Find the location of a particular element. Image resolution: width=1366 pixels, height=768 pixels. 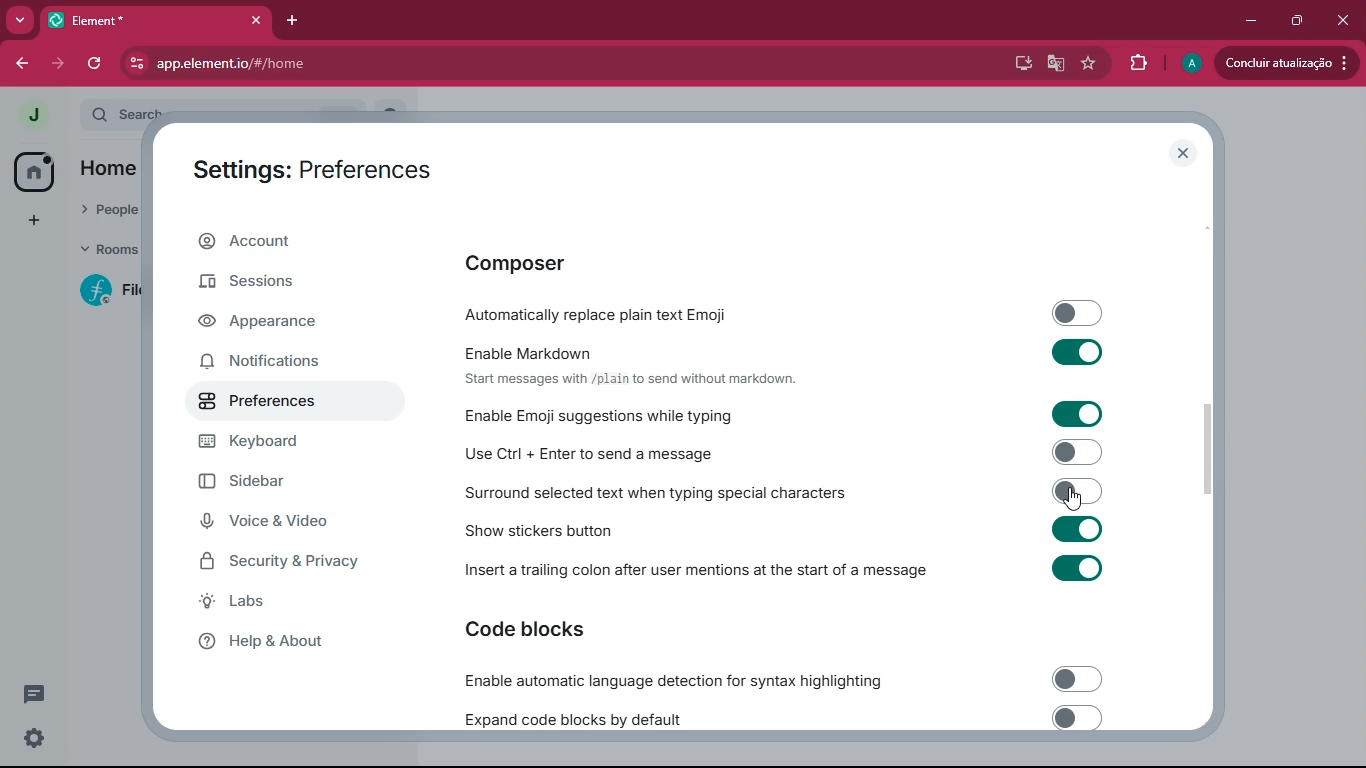

labs is located at coordinates (279, 606).